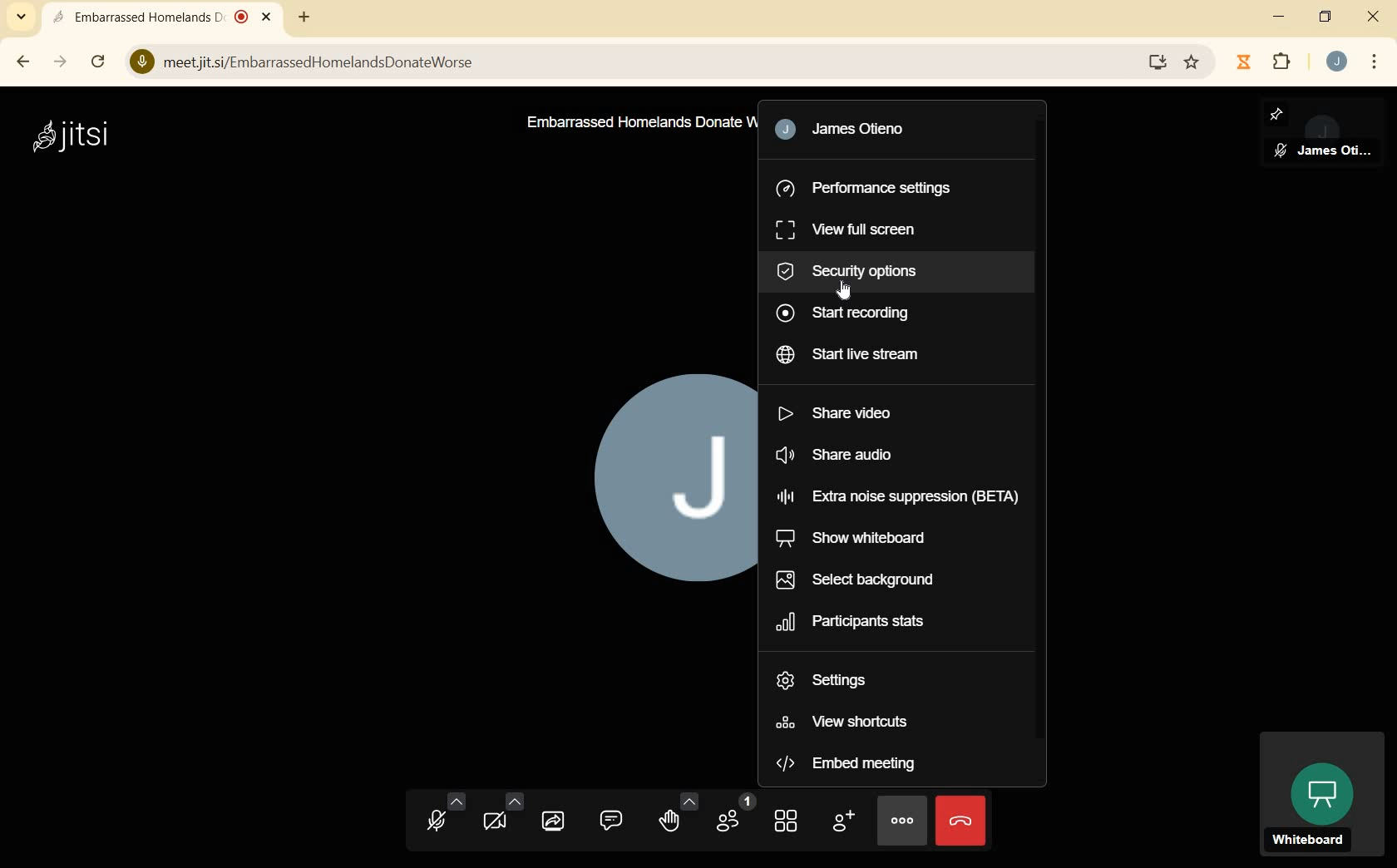  What do you see at coordinates (866, 131) in the screenshot?
I see `ACCOUNT NAME` at bounding box center [866, 131].